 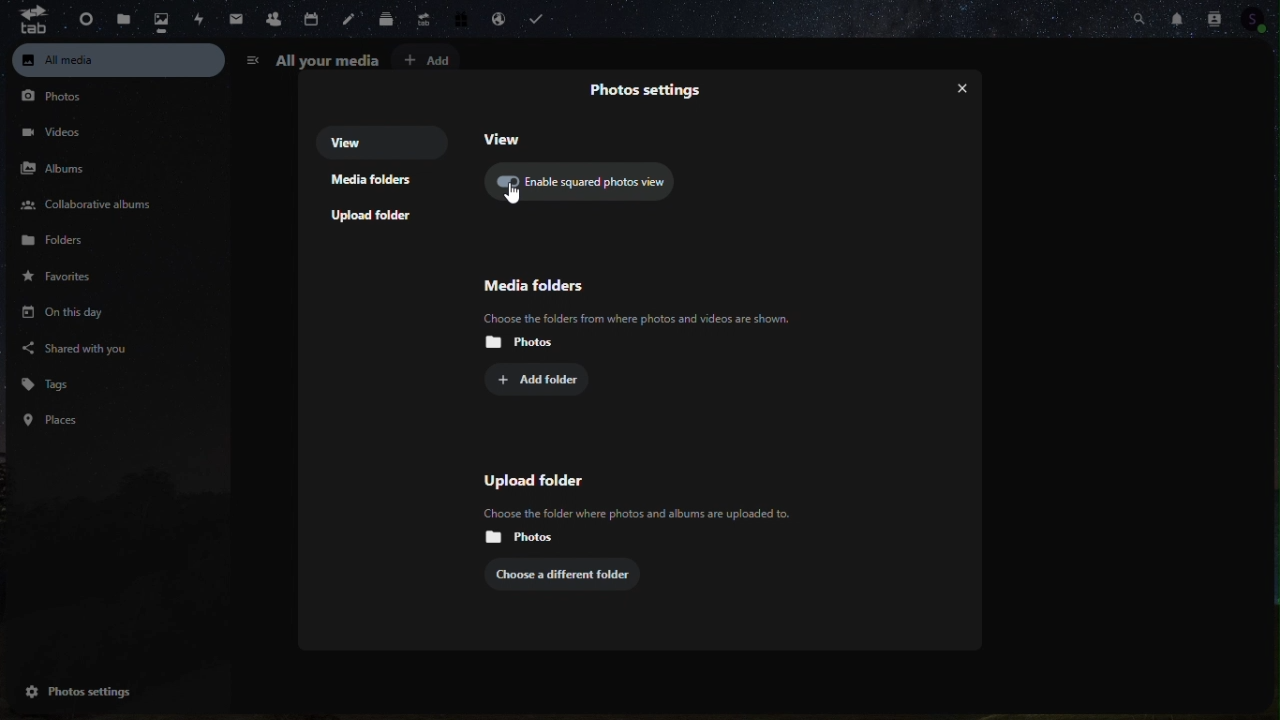 What do you see at coordinates (55, 419) in the screenshot?
I see `places` at bounding box center [55, 419].